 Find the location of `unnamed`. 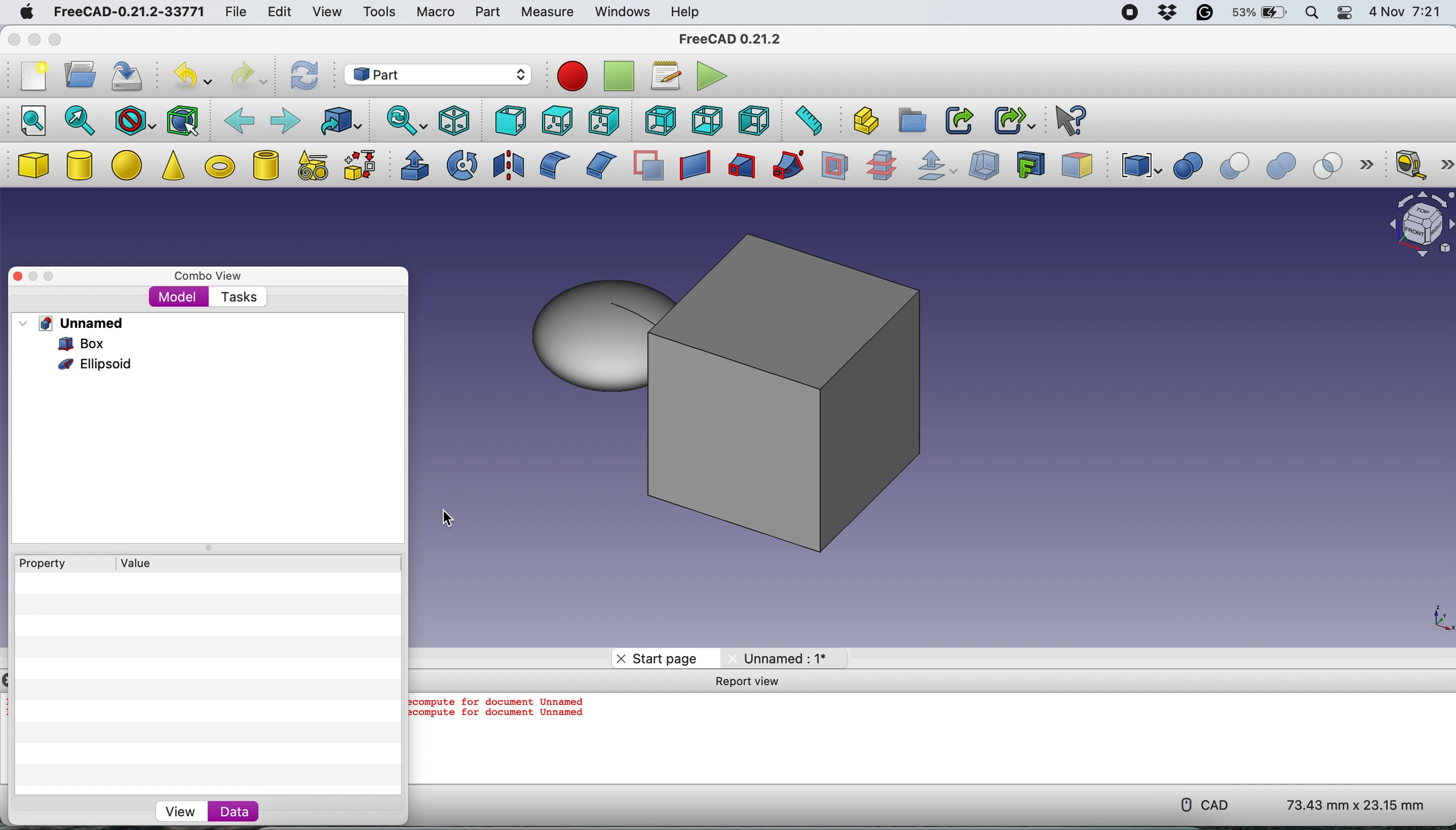

unnamed is located at coordinates (71, 323).